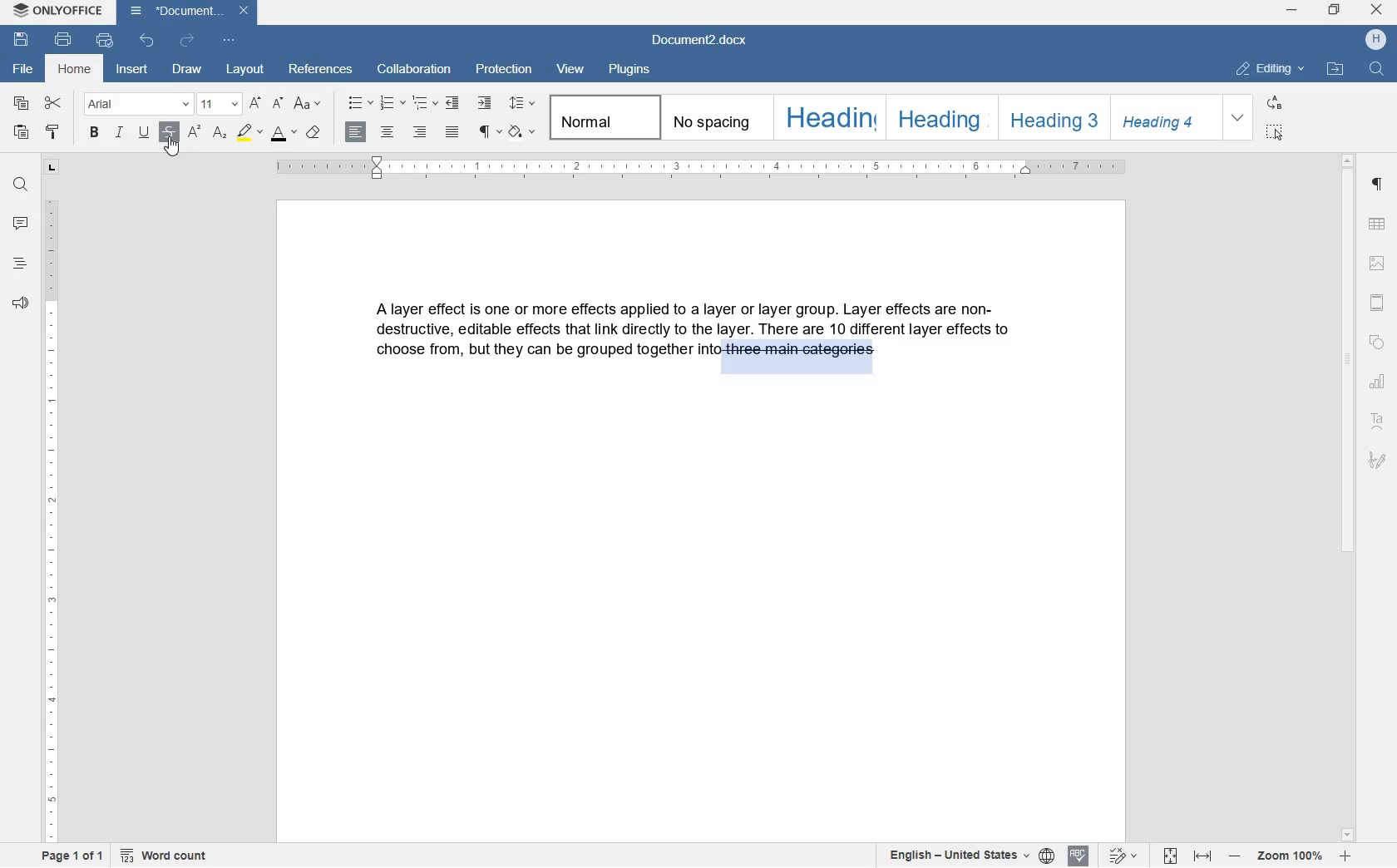 This screenshot has height=868, width=1397. I want to click on word count, so click(165, 856).